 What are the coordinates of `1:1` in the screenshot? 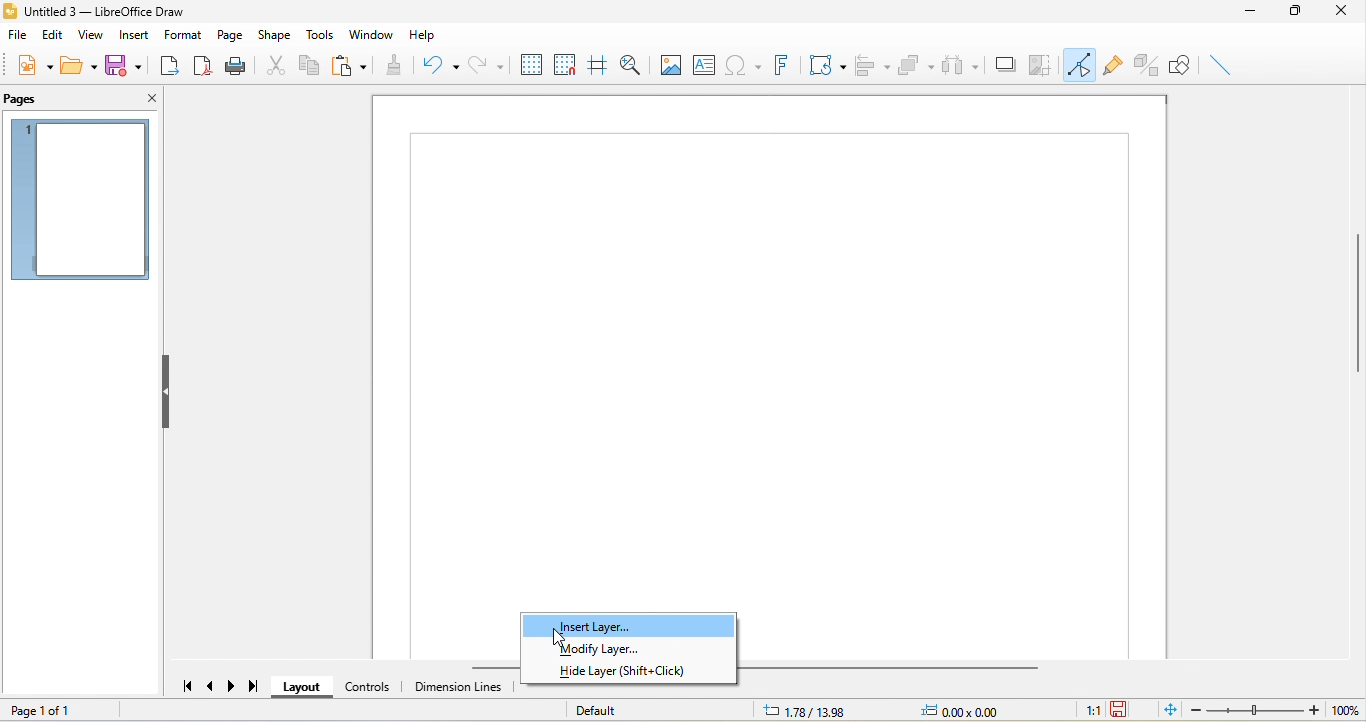 It's located at (1085, 711).